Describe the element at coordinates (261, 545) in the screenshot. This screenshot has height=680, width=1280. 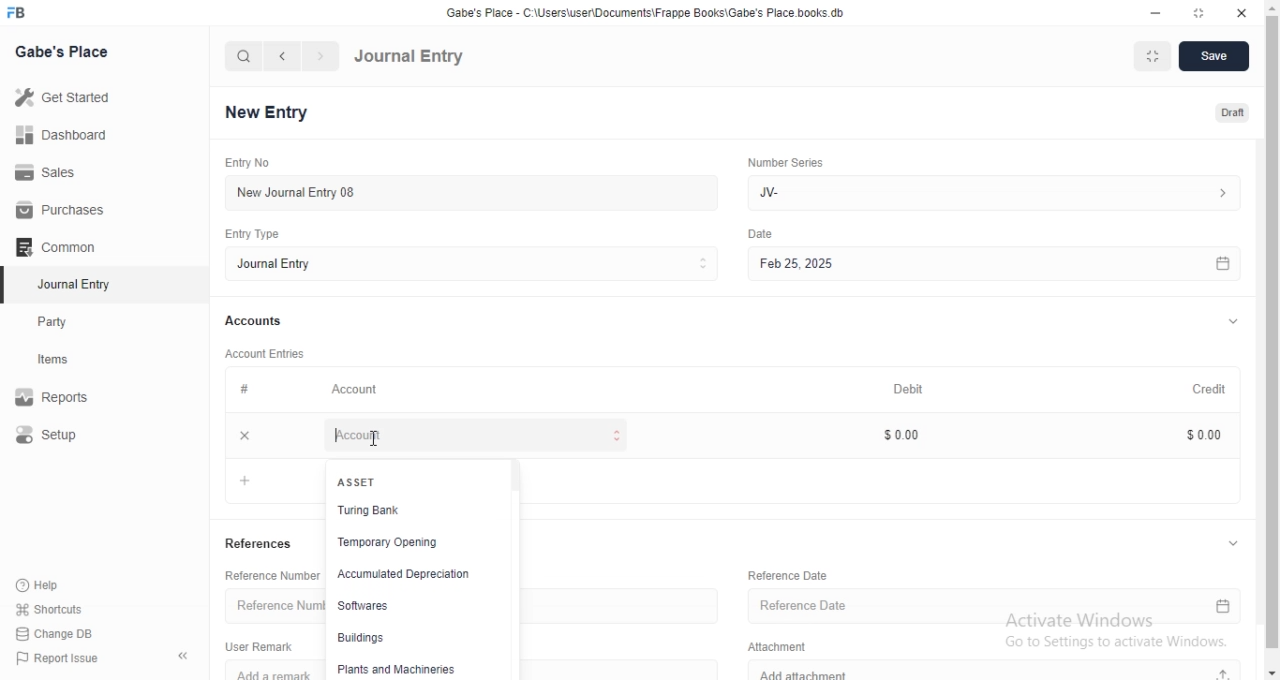
I see `References` at that location.